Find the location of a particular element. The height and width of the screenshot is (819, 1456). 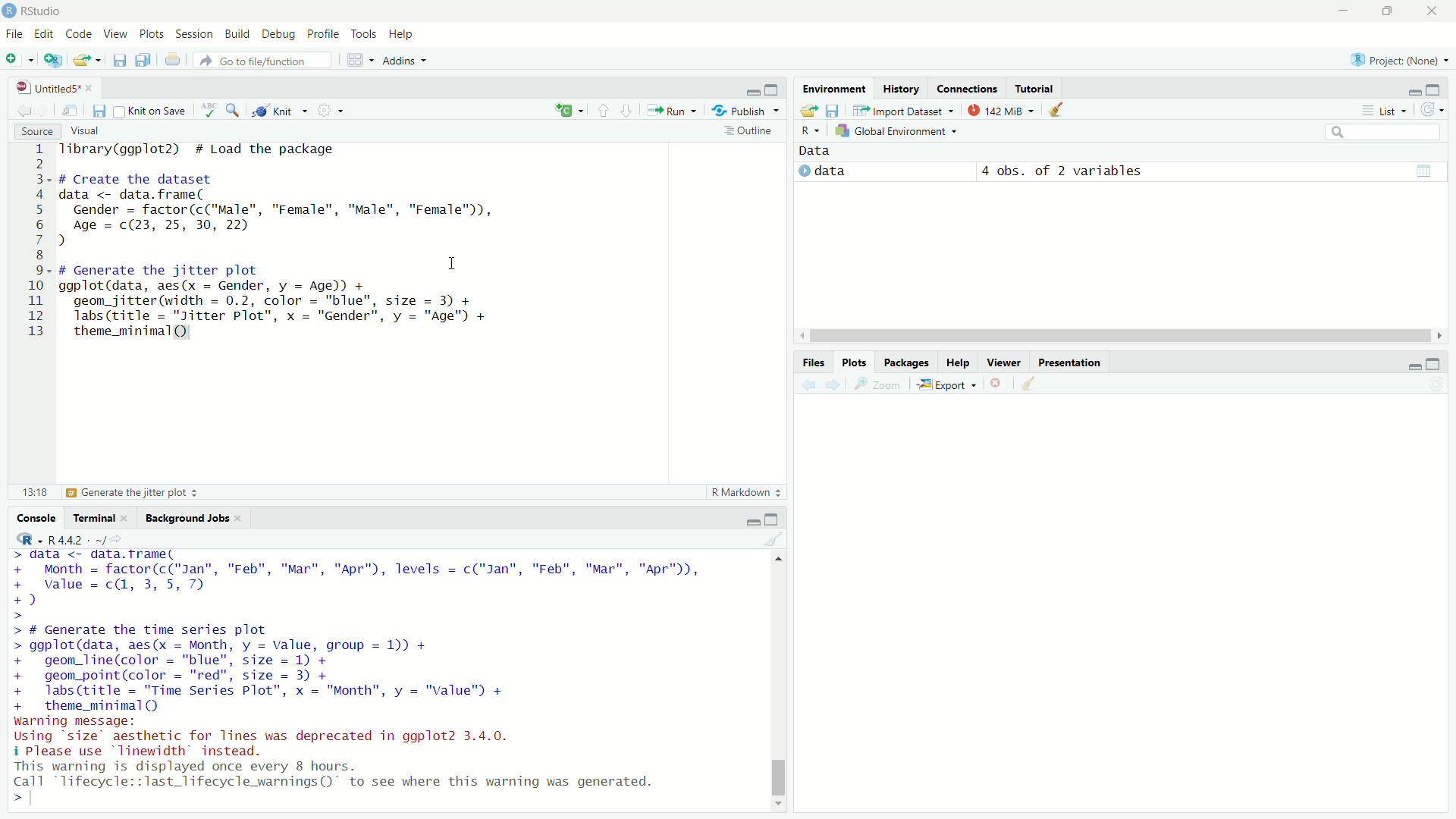

terminal is located at coordinates (91, 516).